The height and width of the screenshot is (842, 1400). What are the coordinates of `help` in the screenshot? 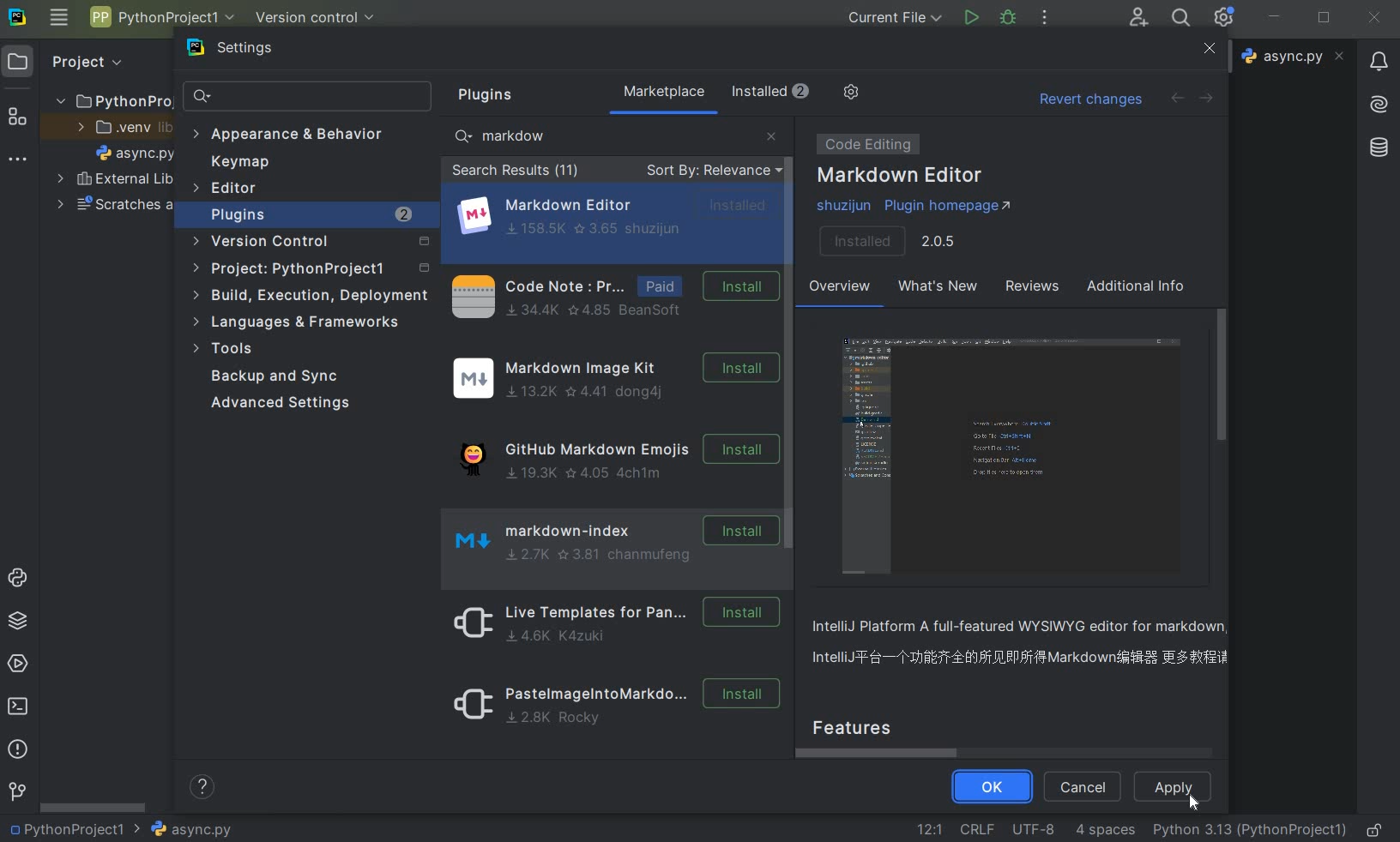 It's located at (204, 789).